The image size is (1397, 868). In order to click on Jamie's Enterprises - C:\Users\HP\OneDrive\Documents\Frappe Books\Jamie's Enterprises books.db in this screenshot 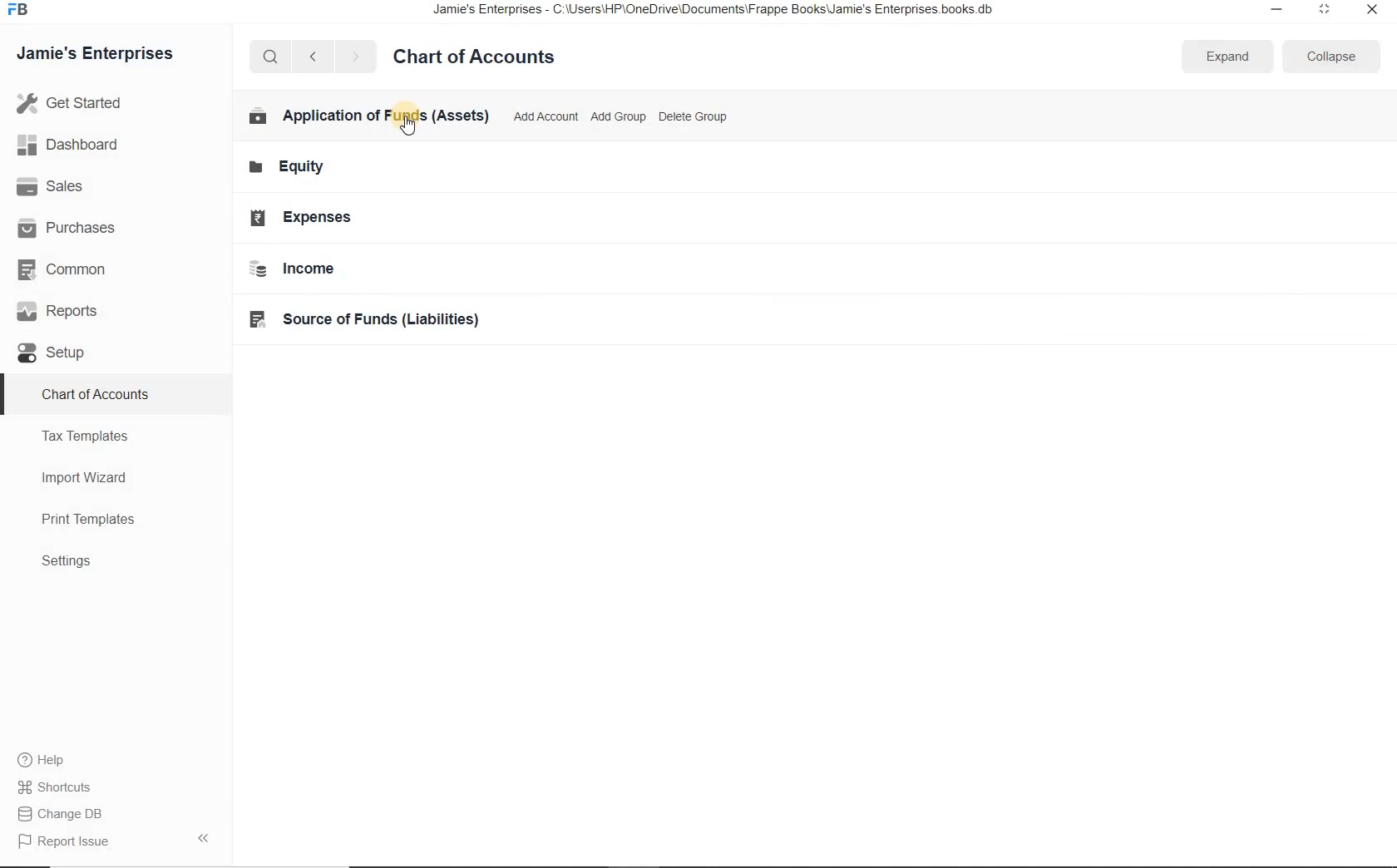, I will do `click(728, 12)`.